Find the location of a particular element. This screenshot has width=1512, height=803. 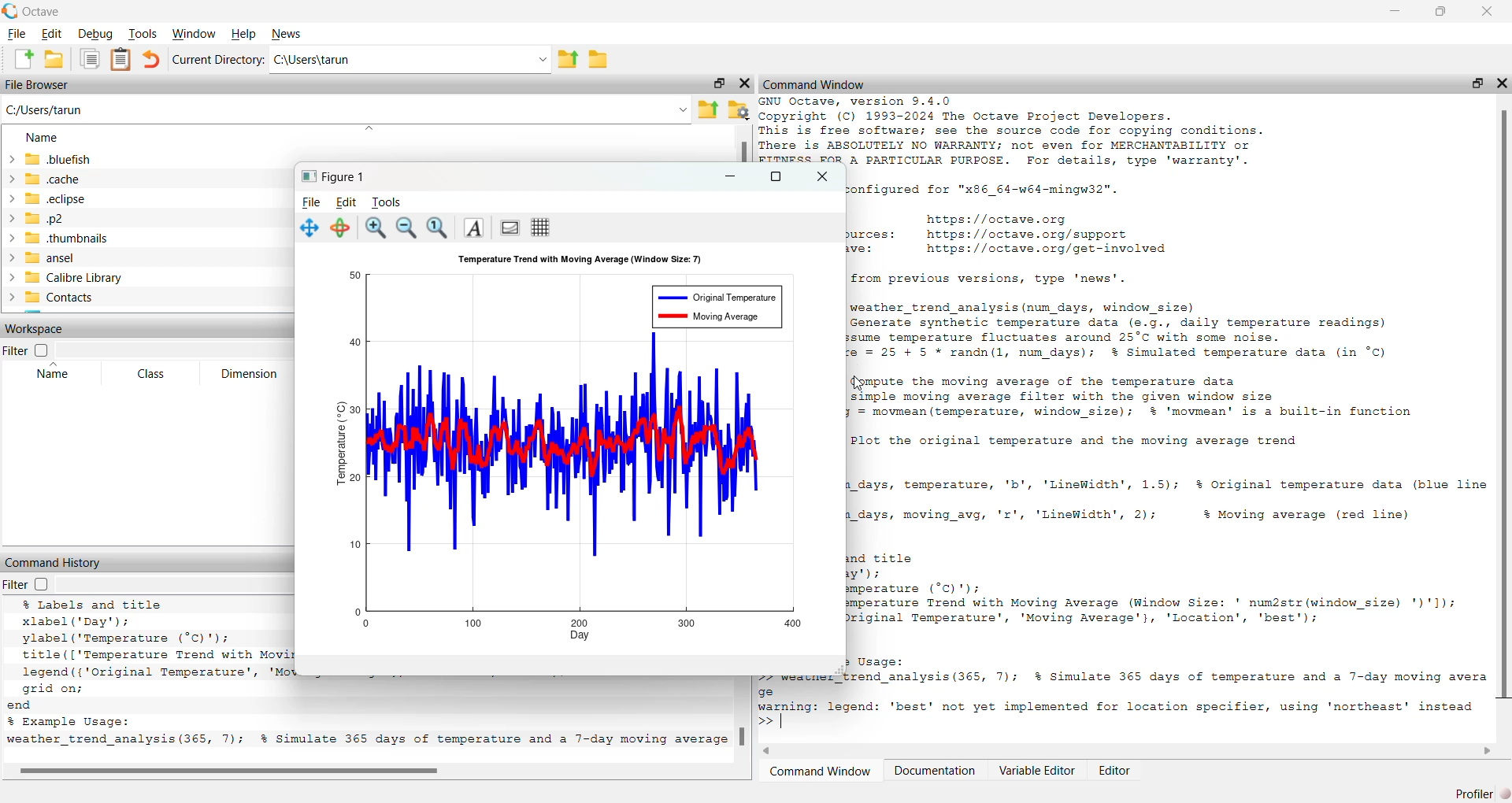

Filter is located at coordinates (25, 350).